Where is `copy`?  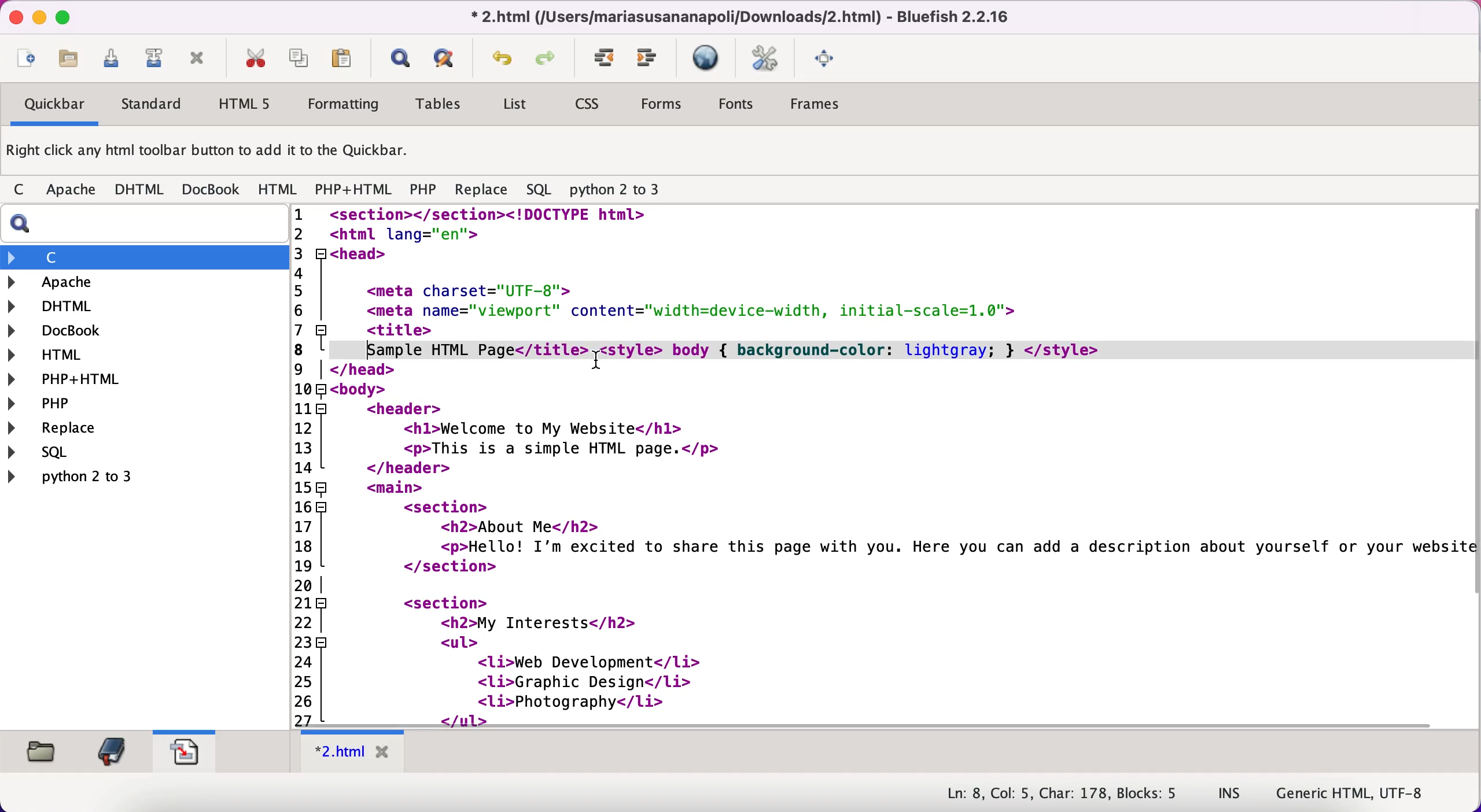
copy is located at coordinates (301, 57).